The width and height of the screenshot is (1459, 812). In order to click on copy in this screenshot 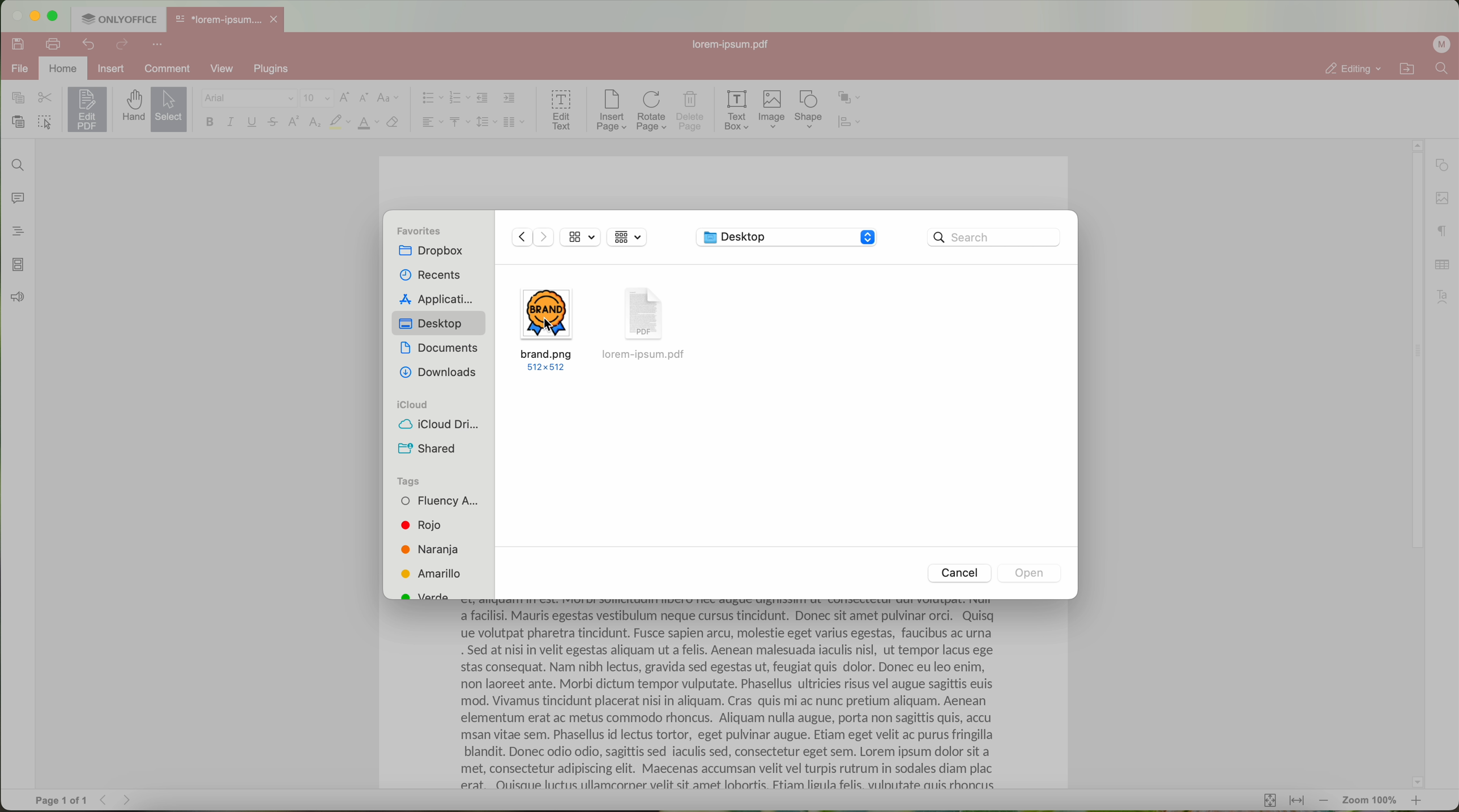, I will do `click(18, 98)`.